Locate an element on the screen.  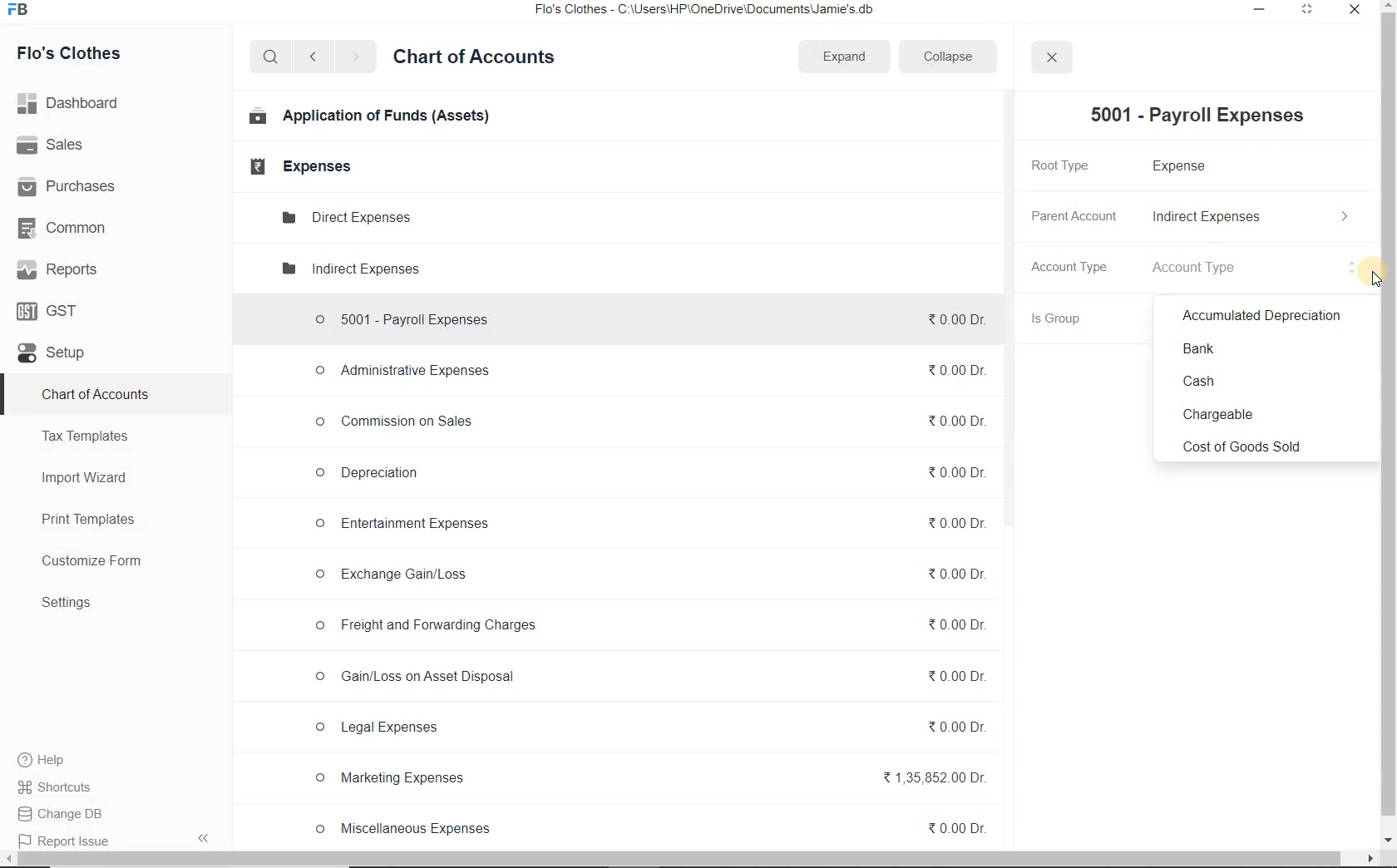
Chart of Accounts is located at coordinates (474, 59).